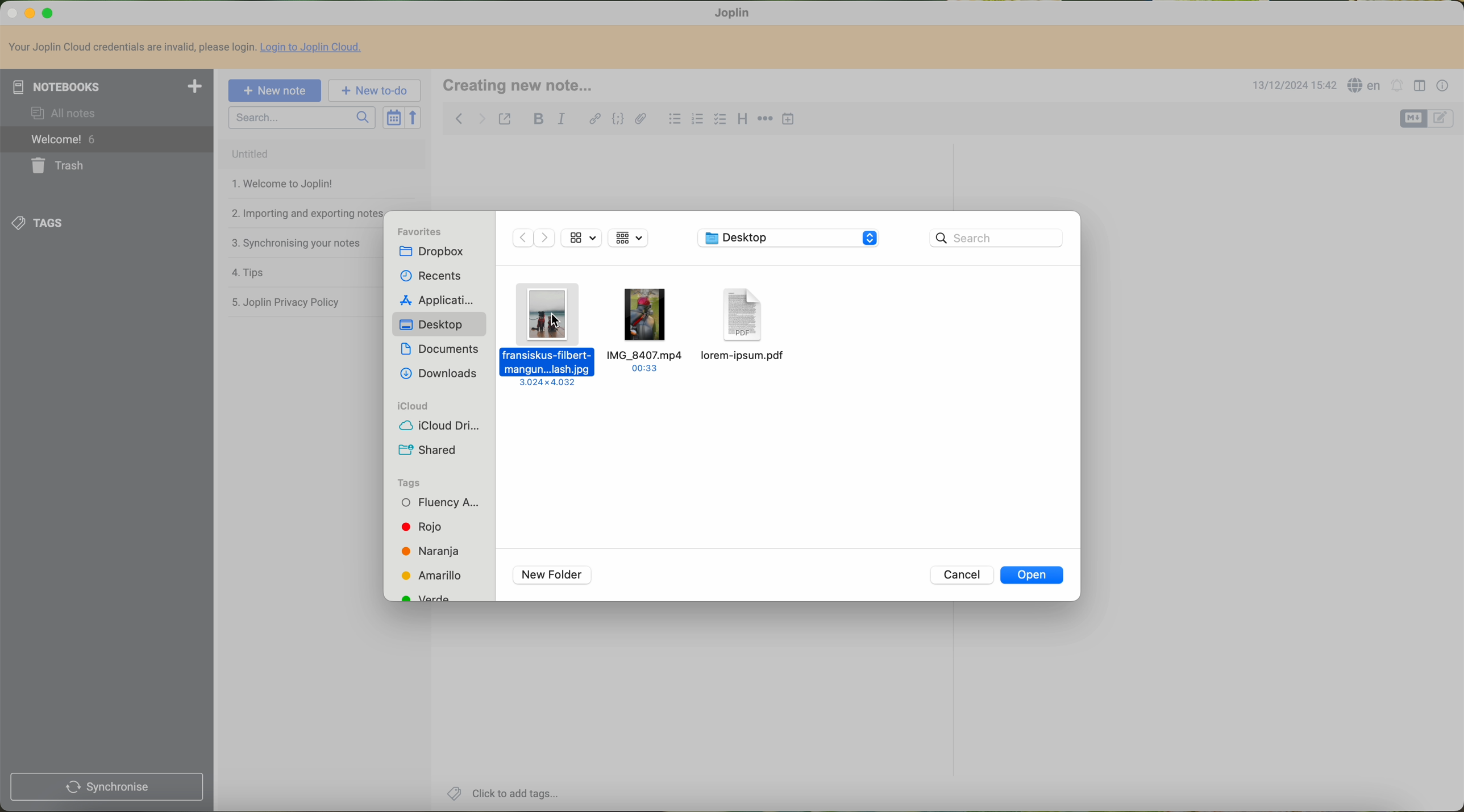 This screenshot has height=812, width=1464. What do you see at coordinates (274, 91) in the screenshot?
I see `new note` at bounding box center [274, 91].